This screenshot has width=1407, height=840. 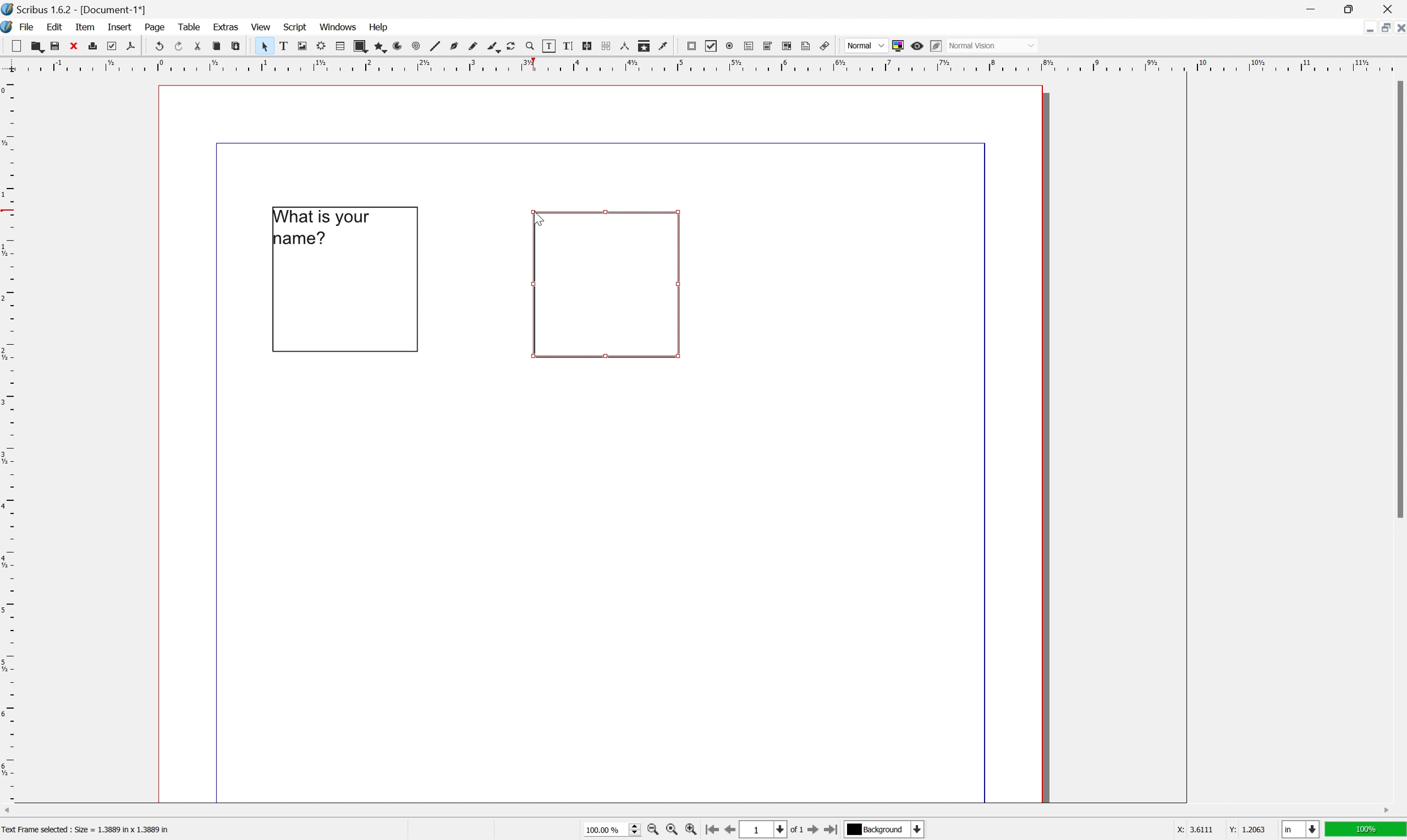 What do you see at coordinates (28, 28) in the screenshot?
I see `file` at bounding box center [28, 28].